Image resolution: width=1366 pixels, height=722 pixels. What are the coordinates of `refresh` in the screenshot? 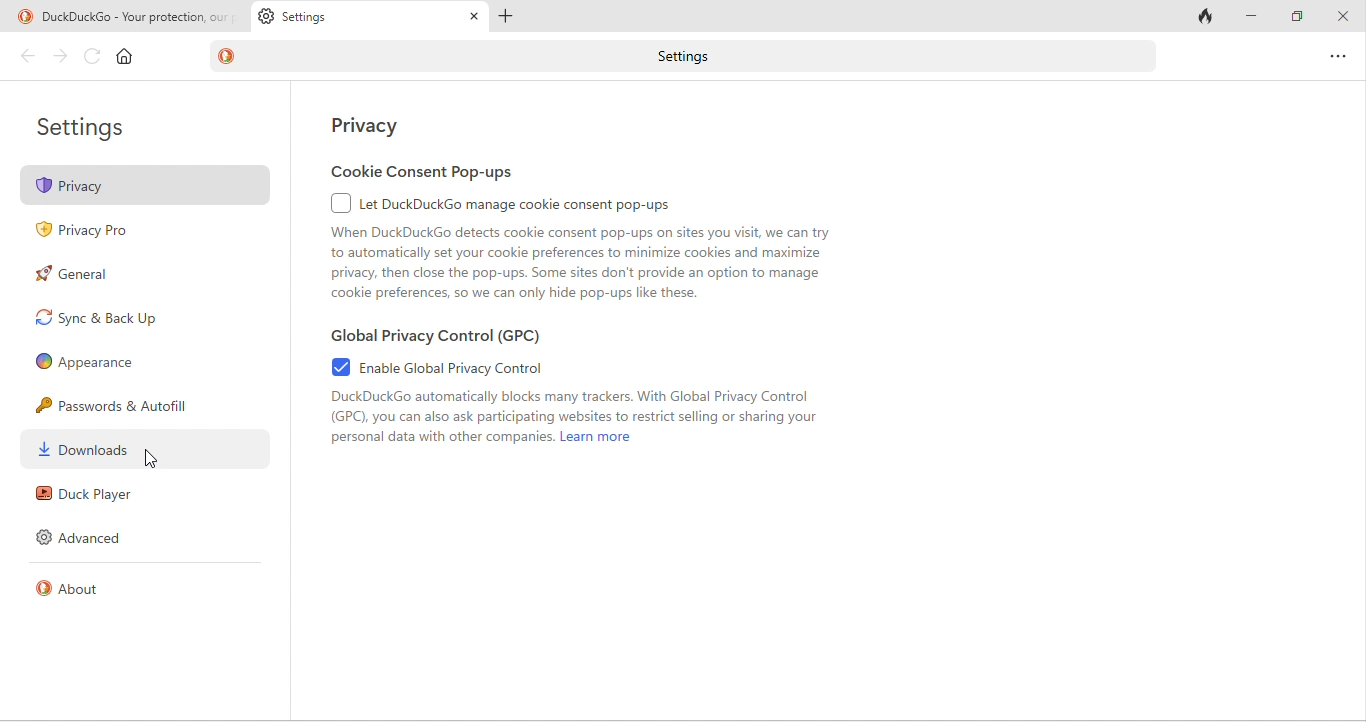 It's located at (91, 58).